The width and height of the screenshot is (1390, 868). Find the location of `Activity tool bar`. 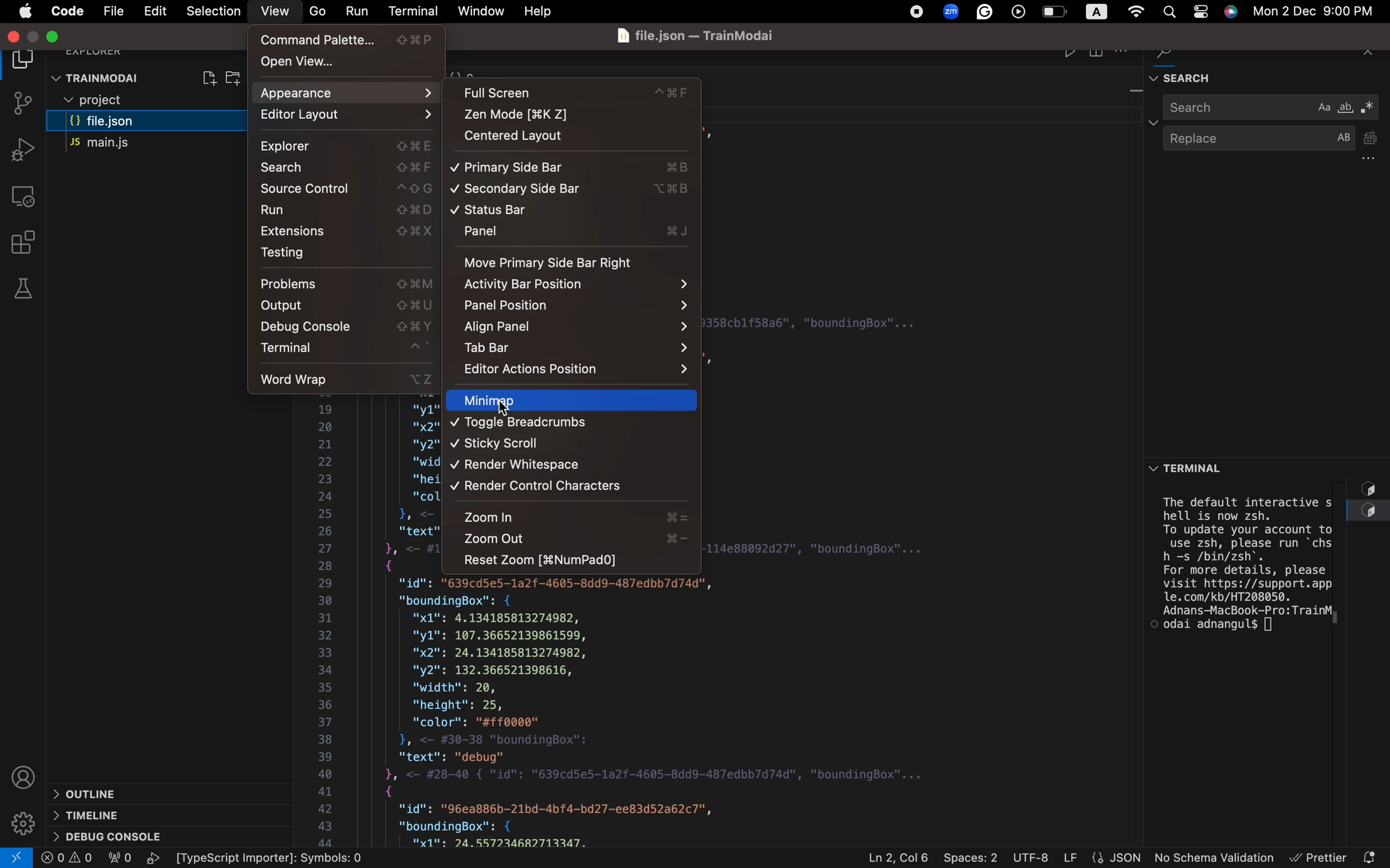

Activity tool bar is located at coordinates (572, 284).